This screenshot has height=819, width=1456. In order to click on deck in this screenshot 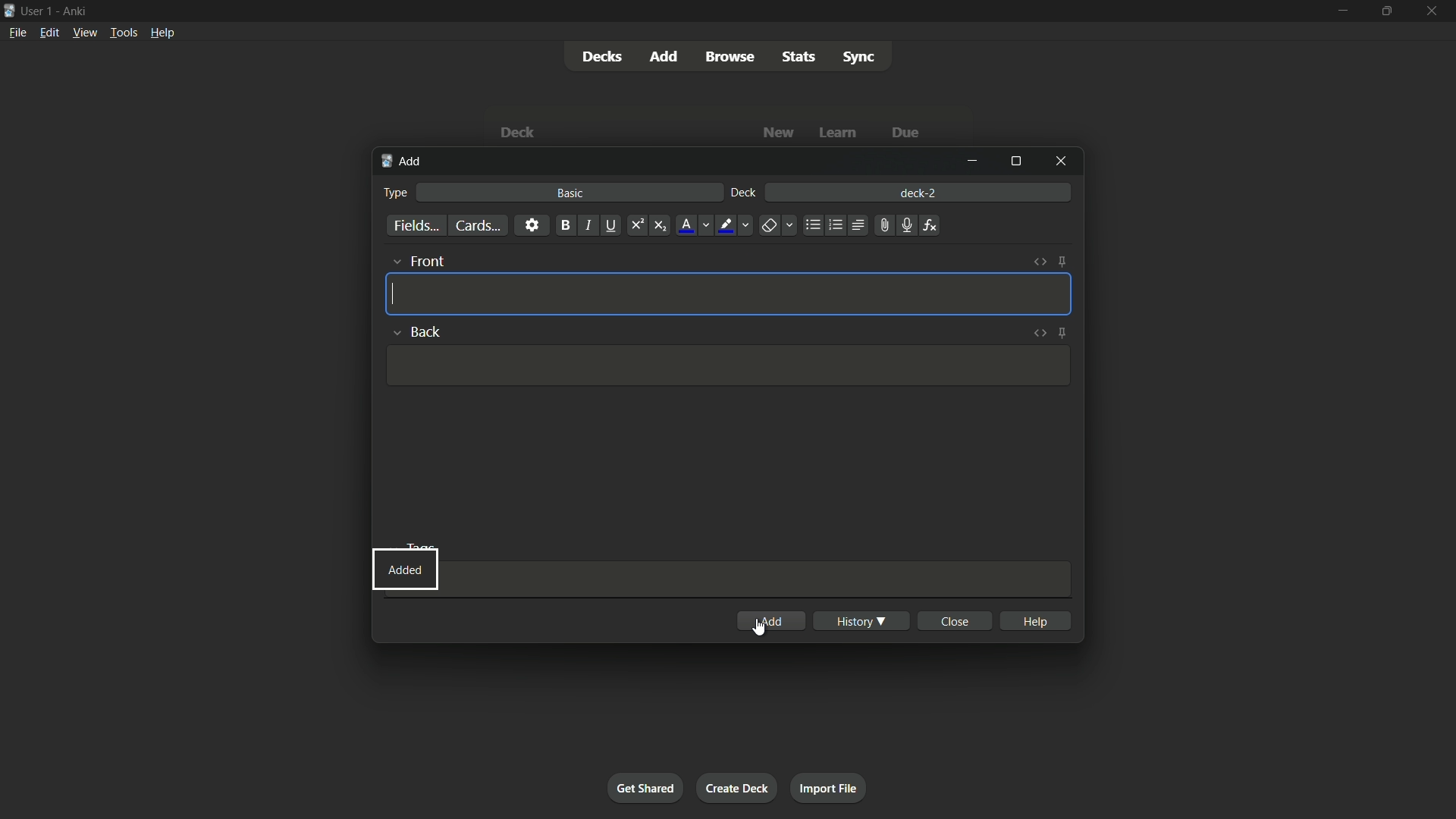, I will do `click(521, 132)`.